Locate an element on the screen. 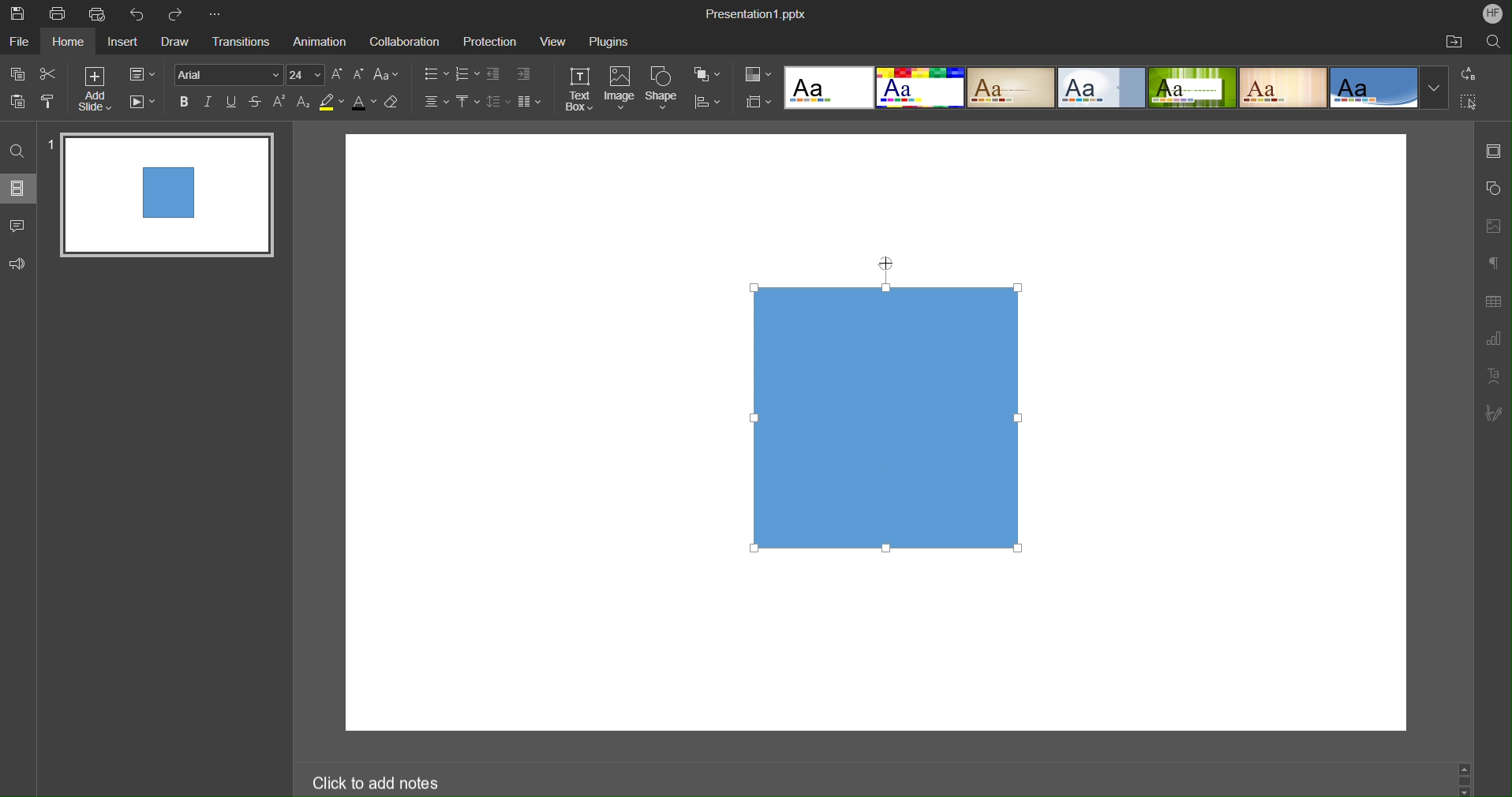  Signature is located at coordinates (1495, 413).